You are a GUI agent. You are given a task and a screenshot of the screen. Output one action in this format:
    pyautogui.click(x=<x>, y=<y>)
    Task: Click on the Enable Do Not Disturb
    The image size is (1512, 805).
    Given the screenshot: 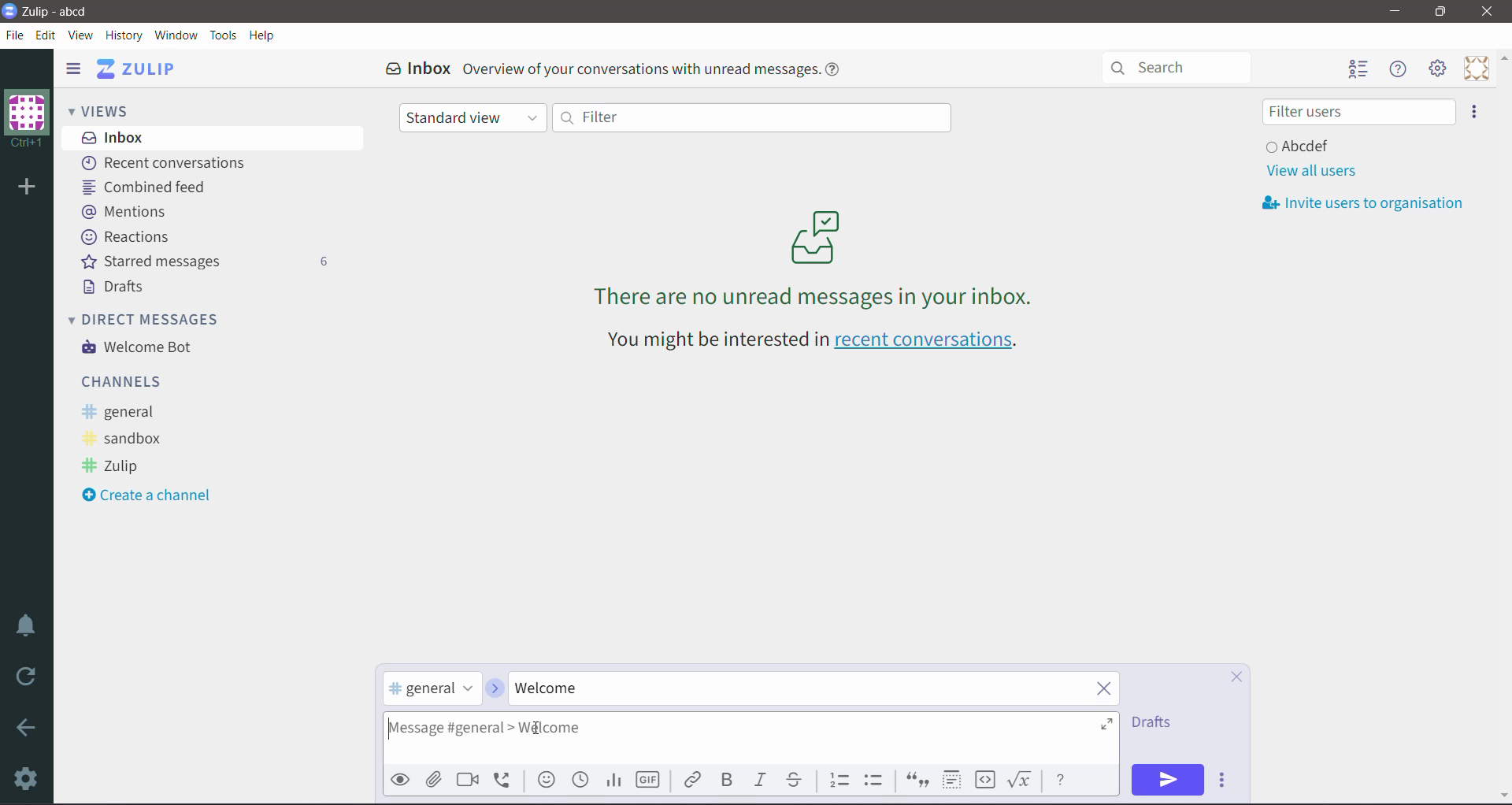 What is the action you would take?
    pyautogui.click(x=27, y=625)
    